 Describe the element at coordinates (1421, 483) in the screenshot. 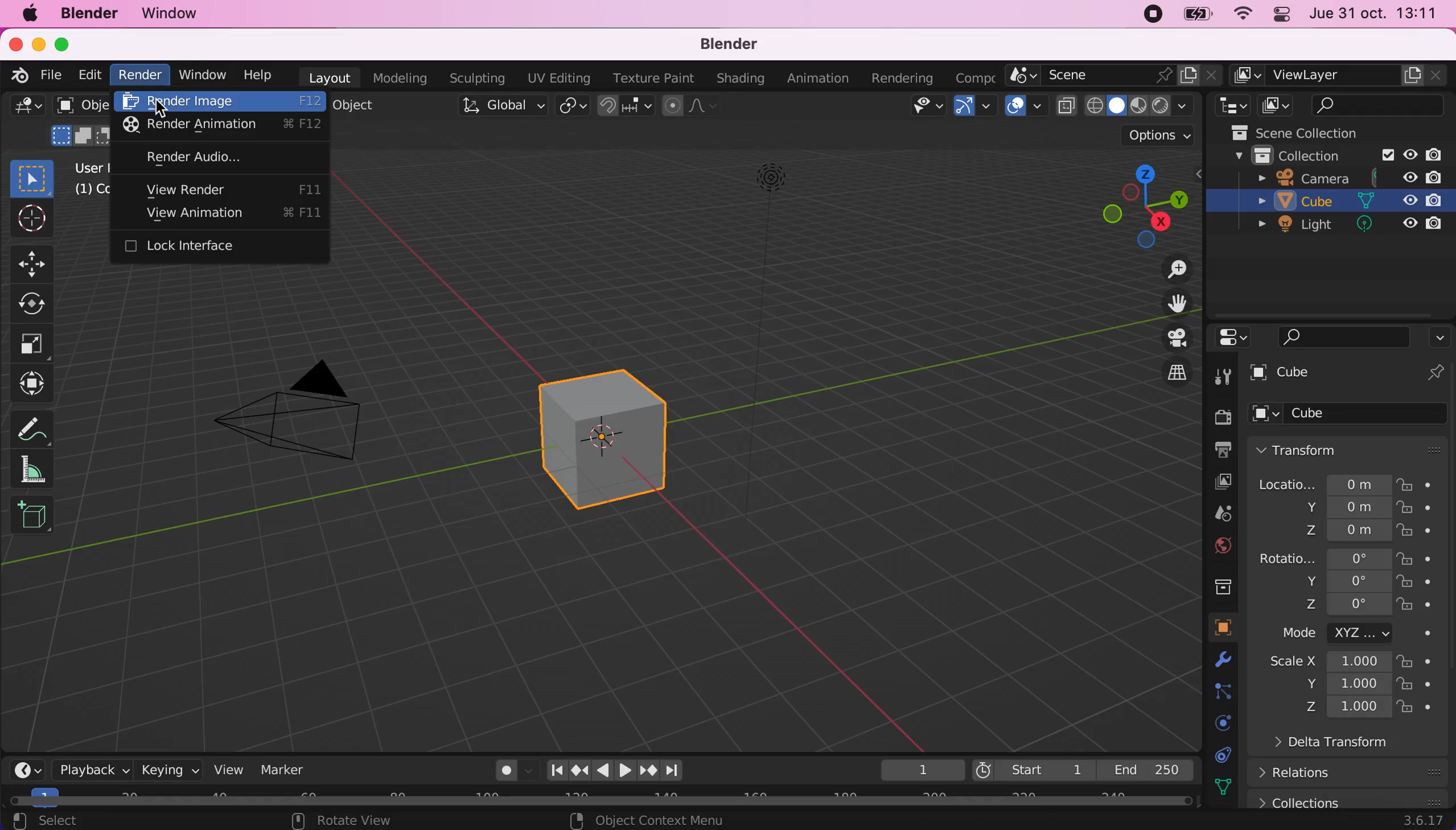

I see `lock` at that location.